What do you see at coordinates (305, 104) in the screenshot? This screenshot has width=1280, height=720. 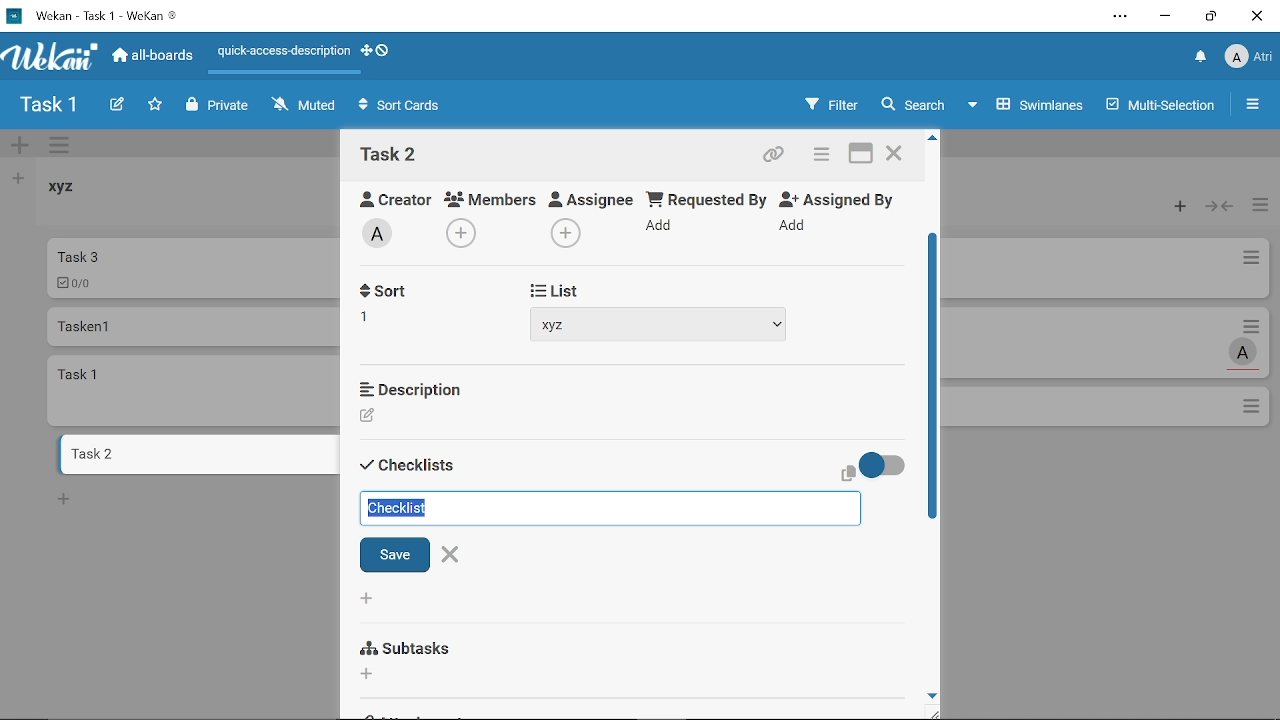 I see `Muted` at bounding box center [305, 104].